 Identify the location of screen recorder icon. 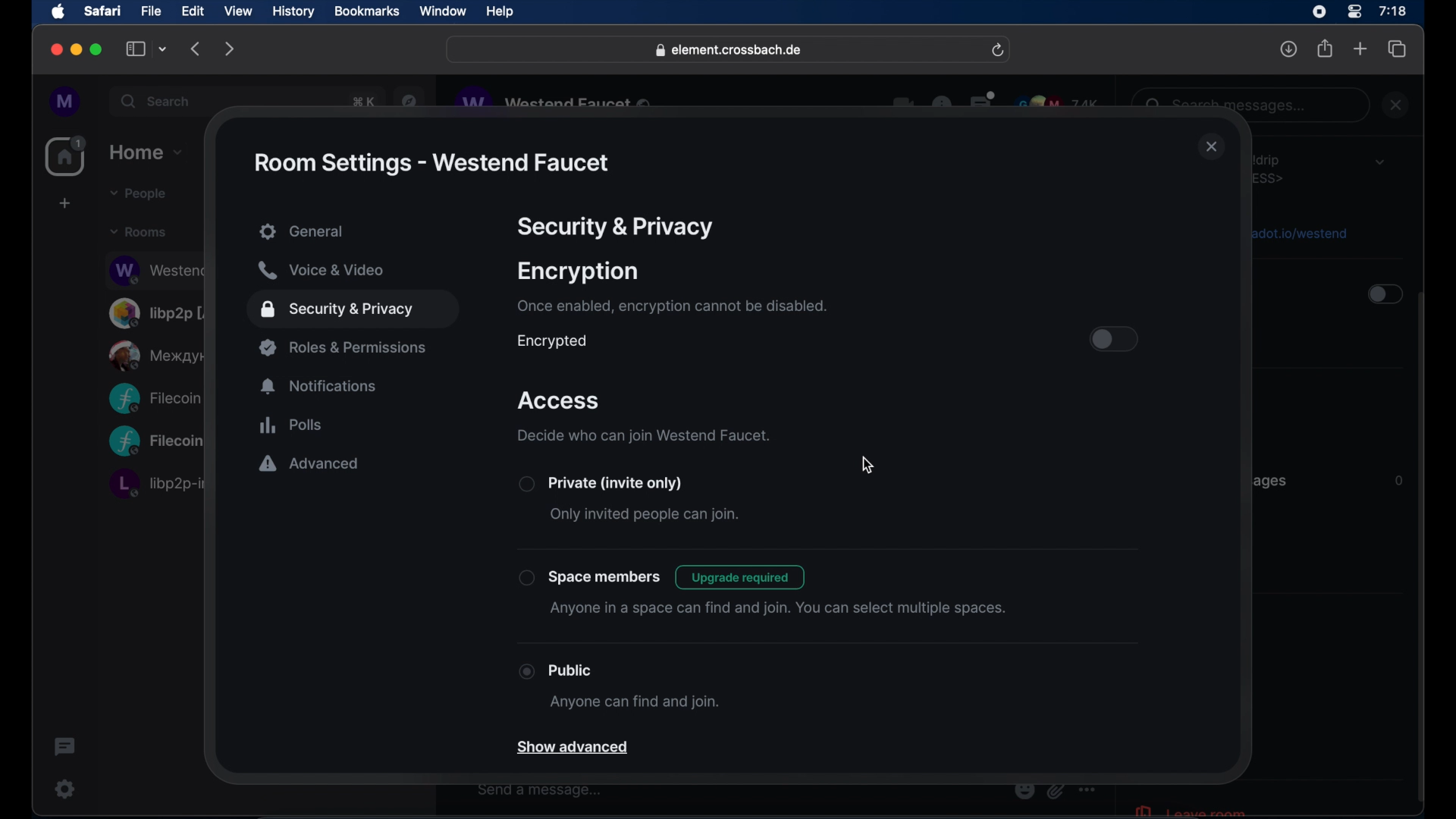
(1319, 12).